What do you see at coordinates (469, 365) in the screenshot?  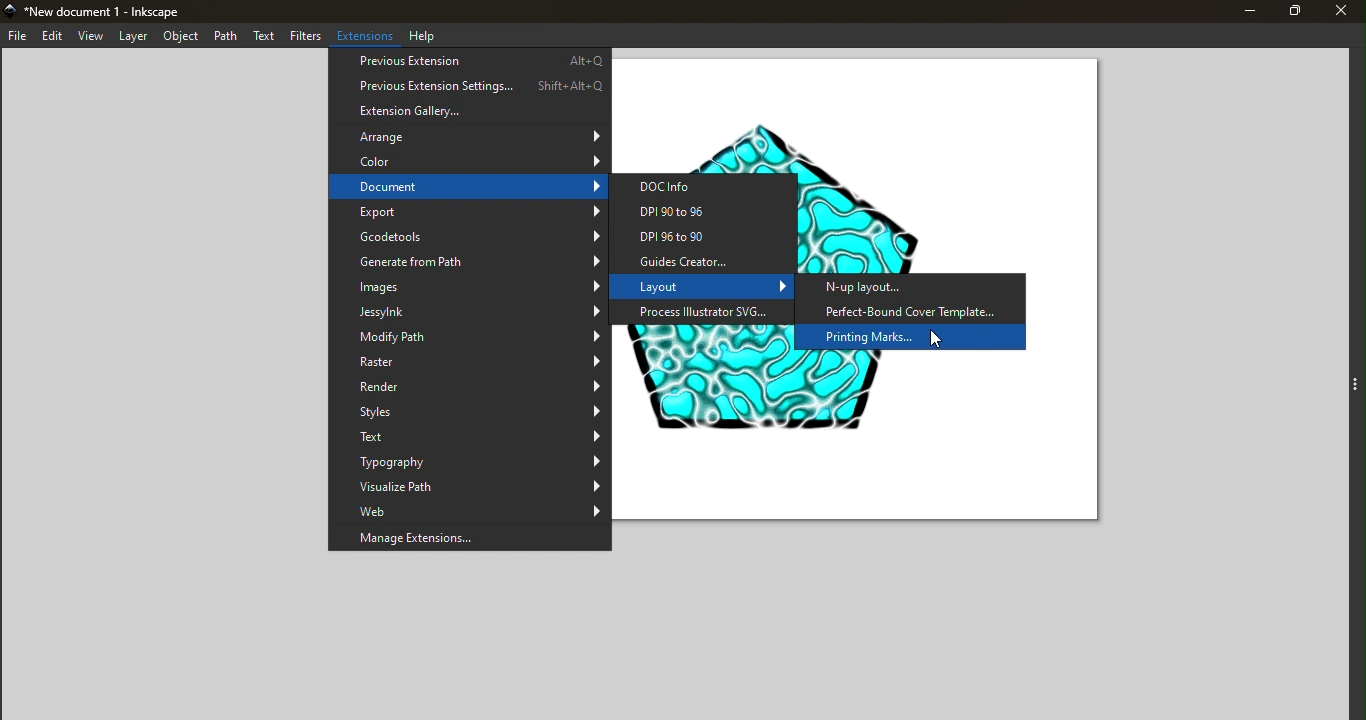 I see `Raster` at bounding box center [469, 365].